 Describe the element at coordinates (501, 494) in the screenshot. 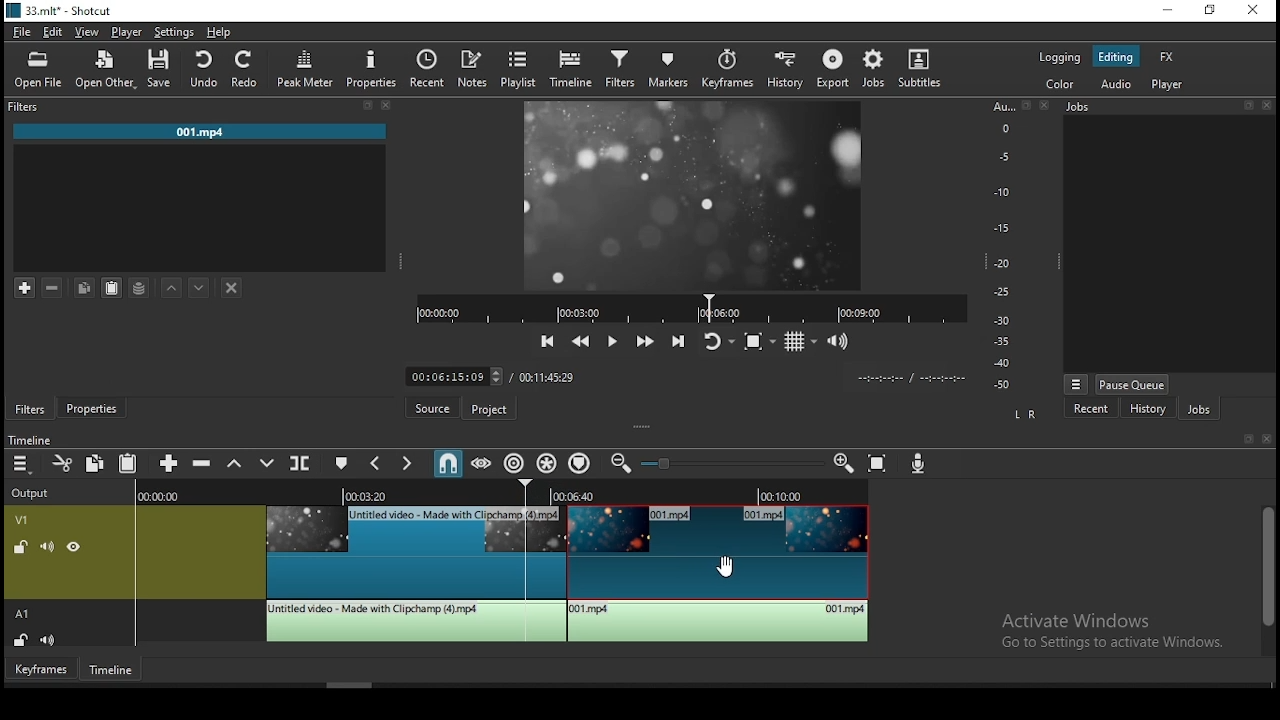

I see `timestamps` at that location.